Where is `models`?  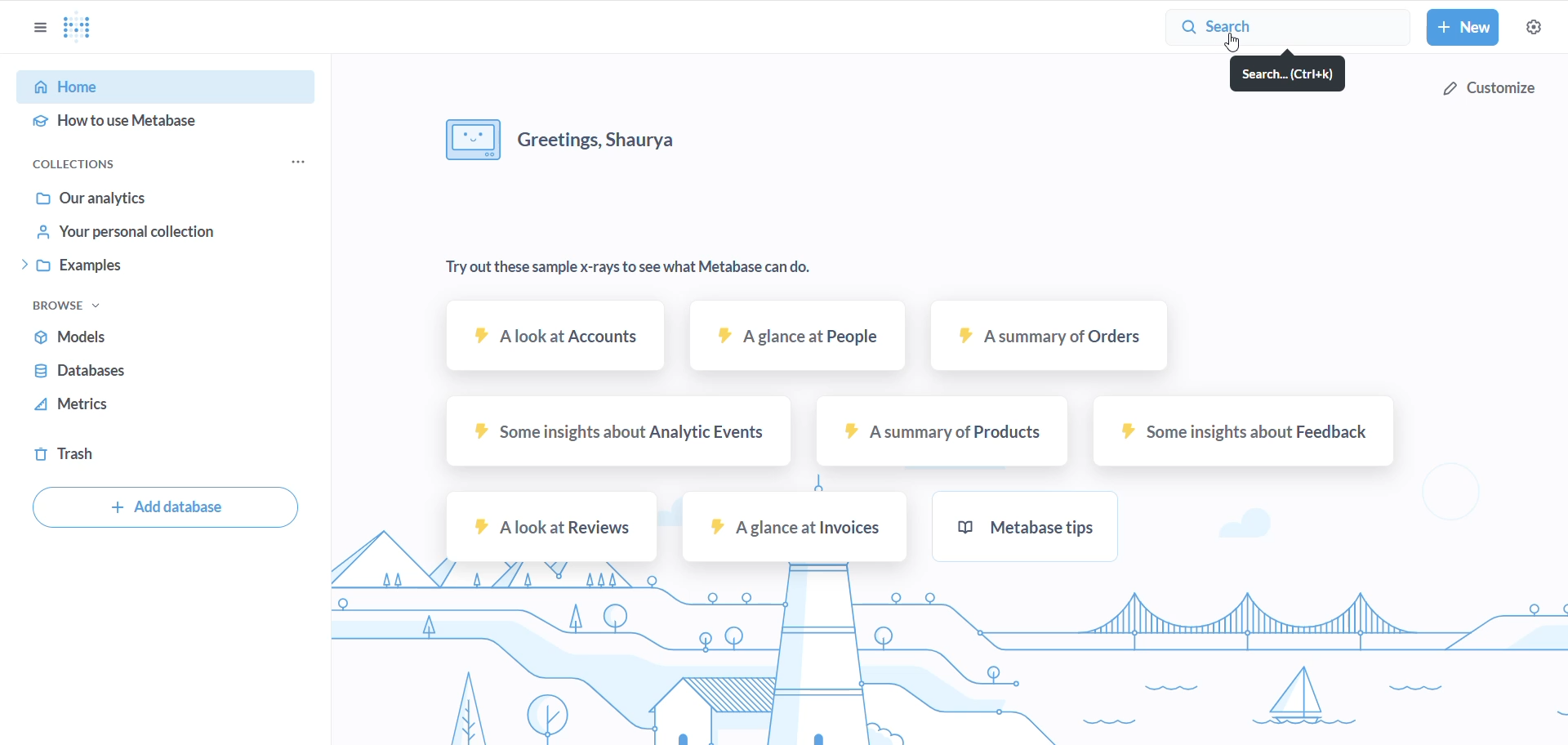
models is located at coordinates (105, 338).